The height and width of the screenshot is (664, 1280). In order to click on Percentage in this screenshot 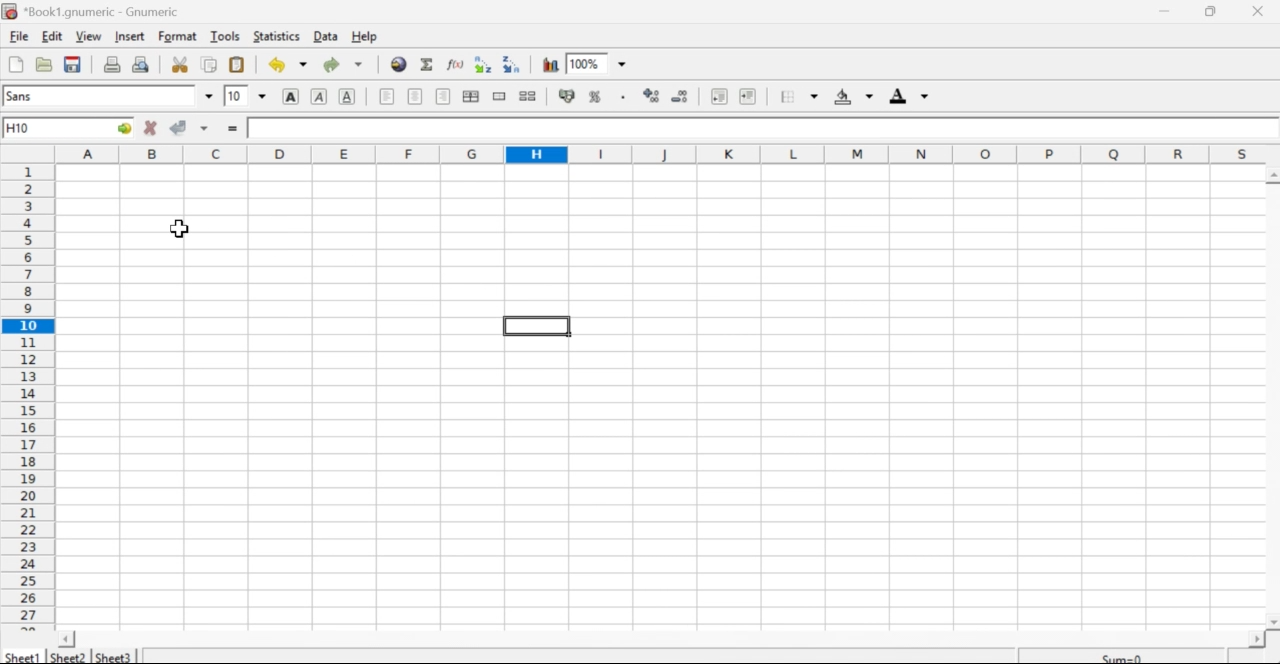, I will do `click(599, 95)`.